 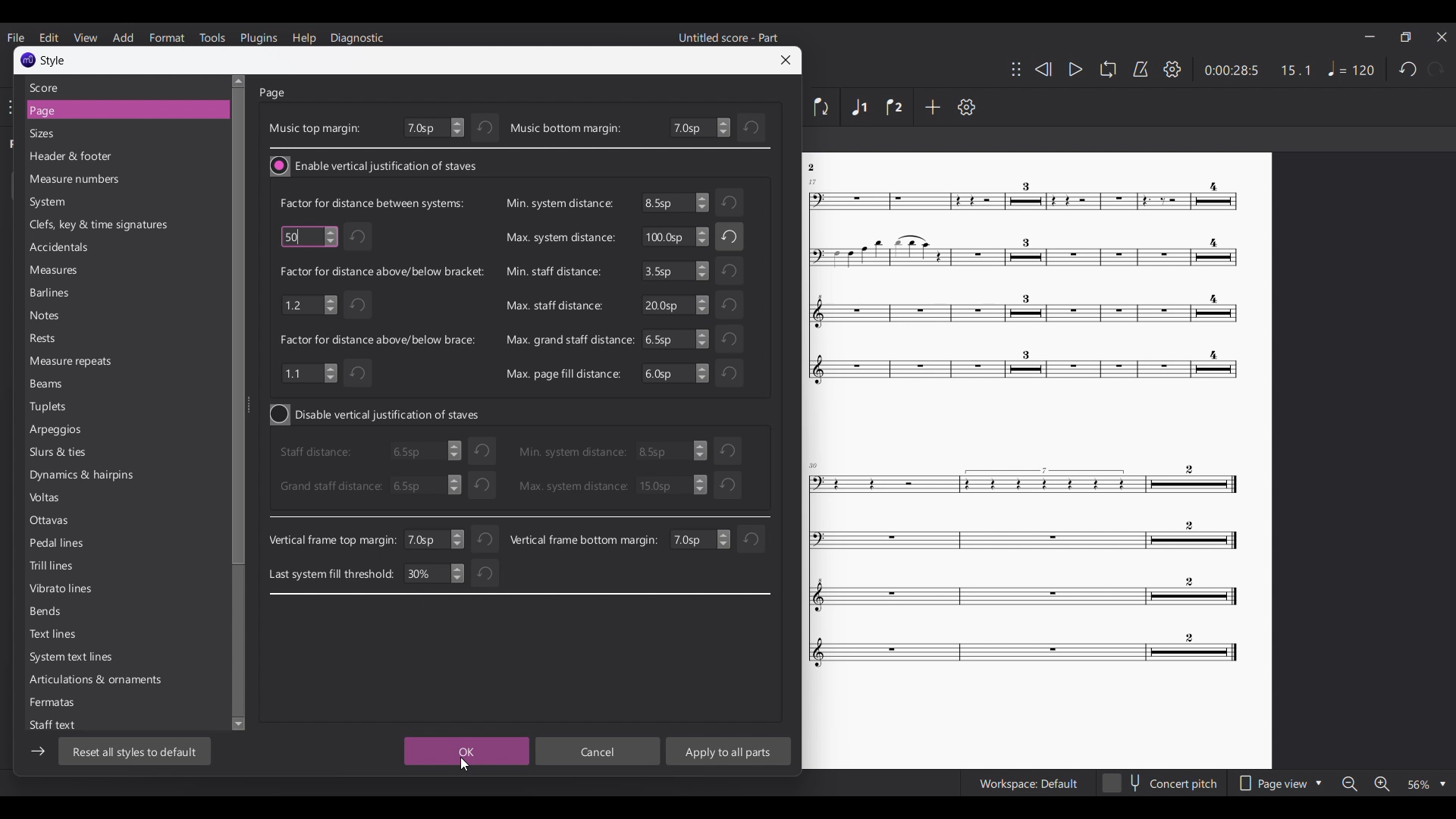 What do you see at coordinates (730, 485) in the screenshot?
I see `Undo` at bounding box center [730, 485].